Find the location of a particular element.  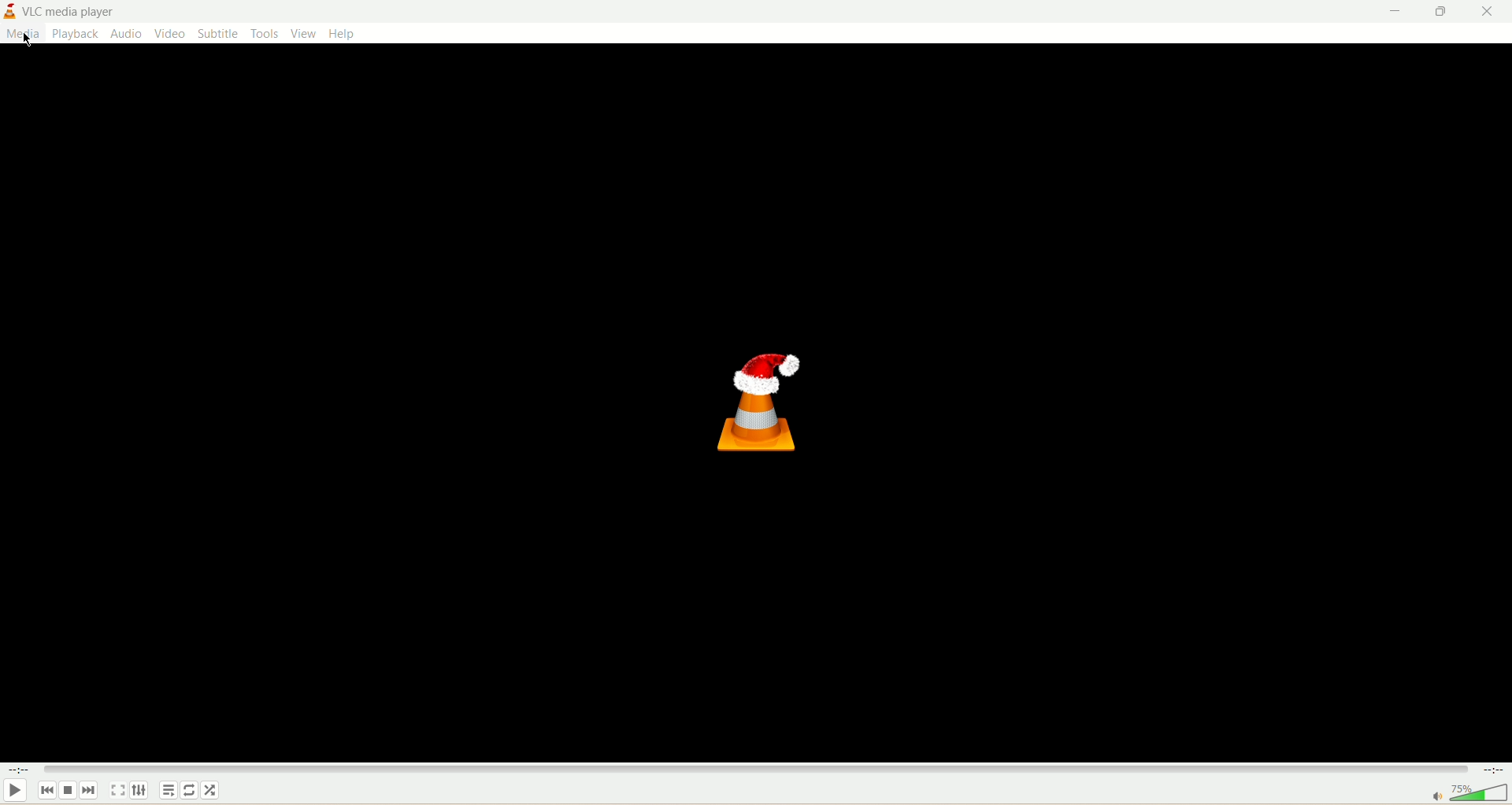

volume bar is located at coordinates (1479, 794).